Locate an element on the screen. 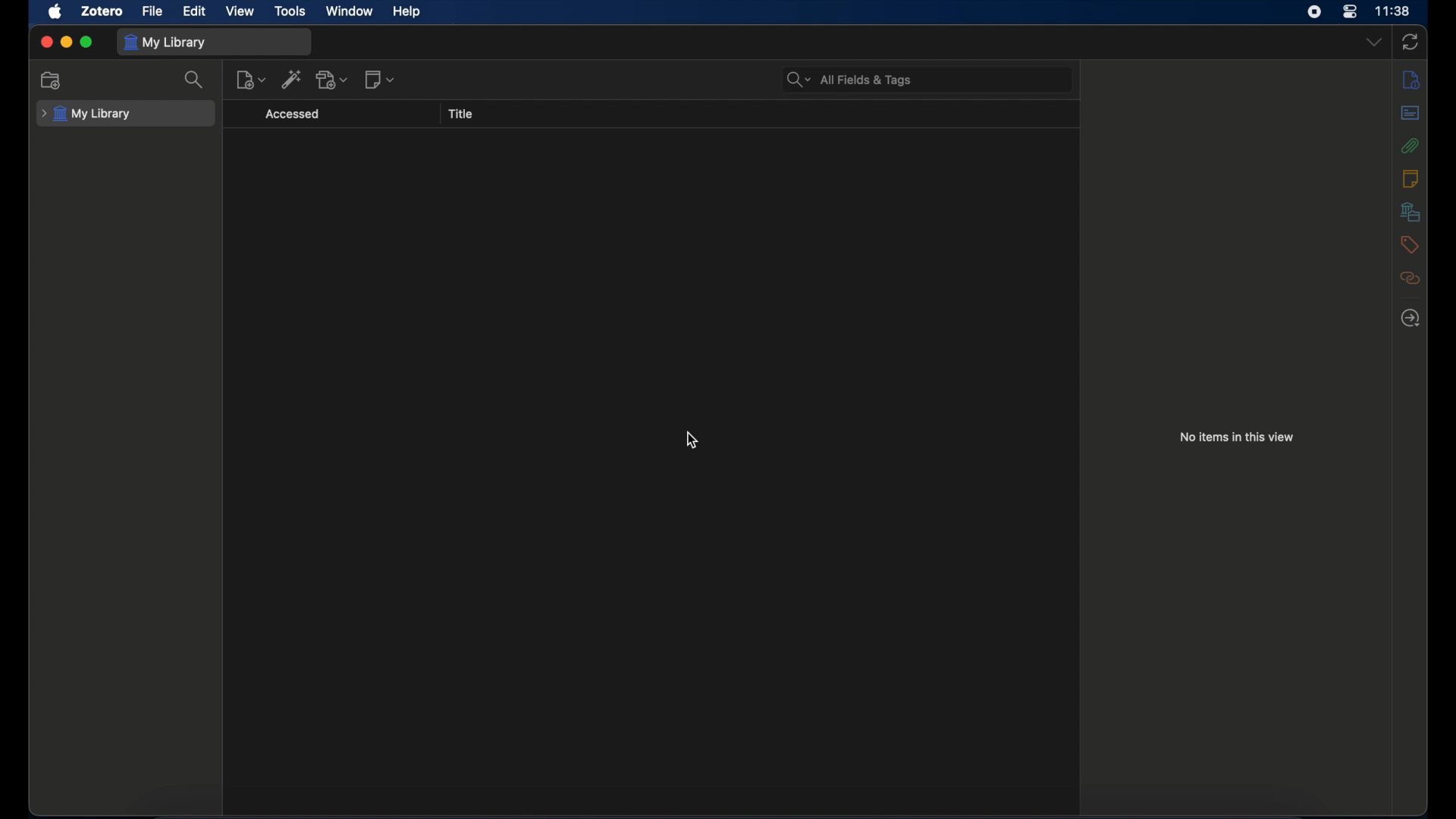 The width and height of the screenshot is (1456, 819). new note is located at coordinates (251, 80).